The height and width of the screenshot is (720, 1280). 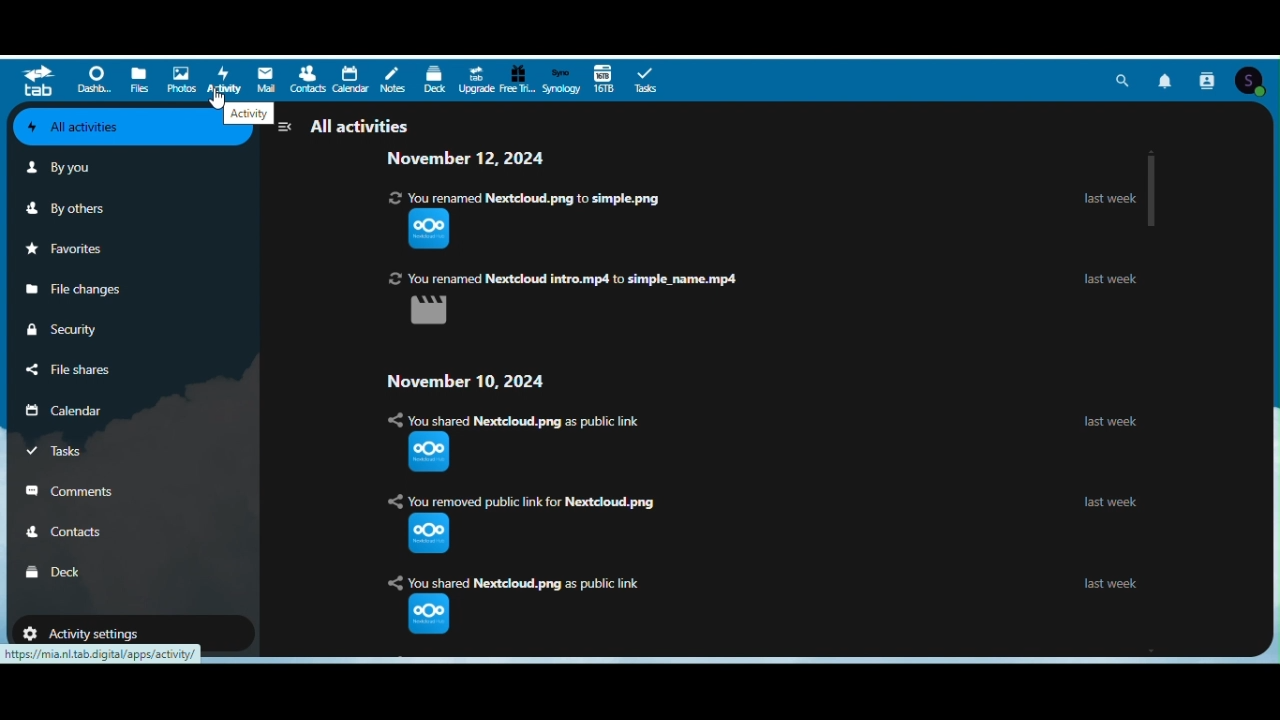 What do you see at coordinates (476, 81) in the screenshot?
I see `Upgrade` at bounding box center [476, 81].